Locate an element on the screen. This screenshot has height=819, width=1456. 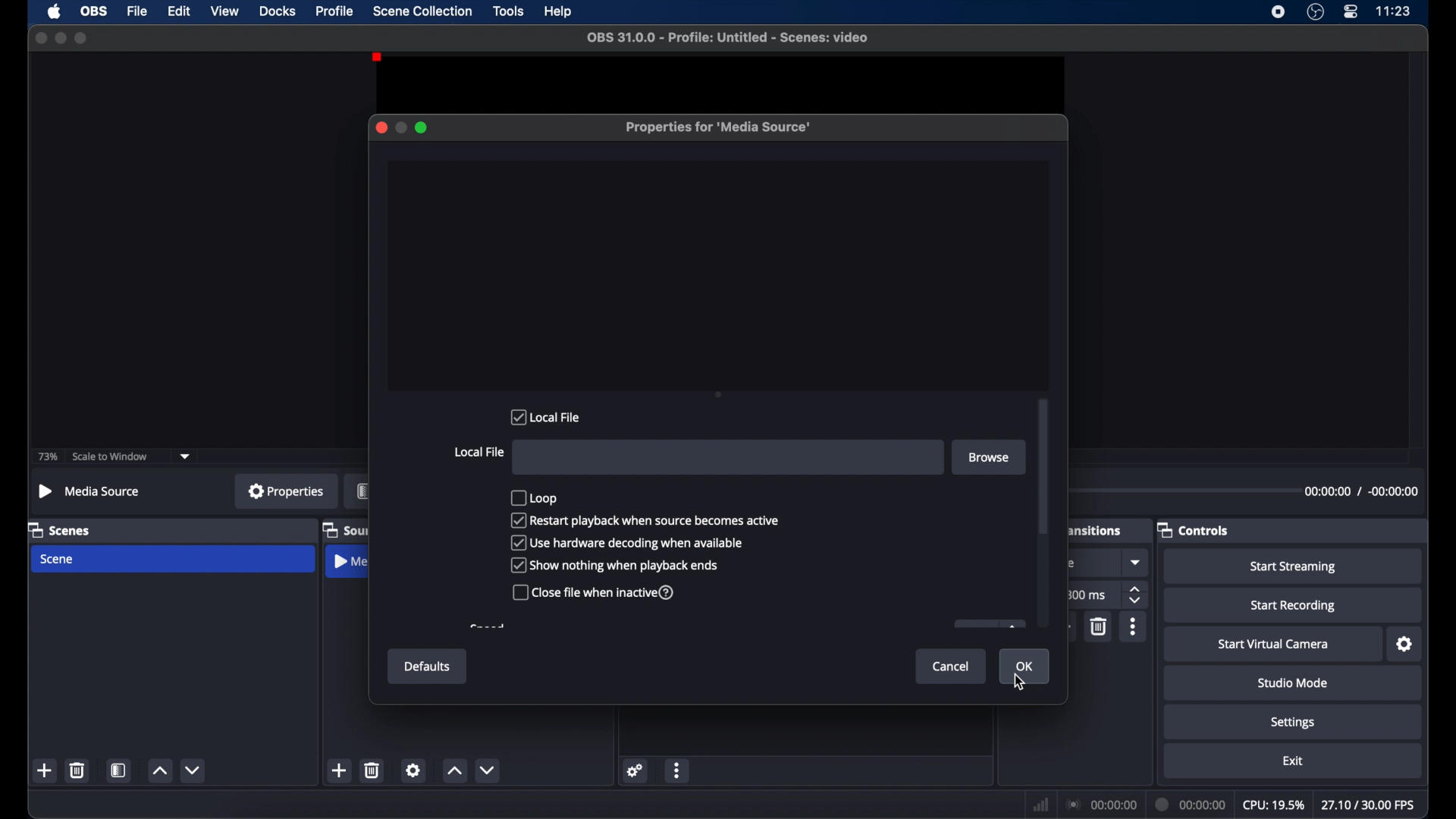
obscure text is located at coordinates (1066, 563).